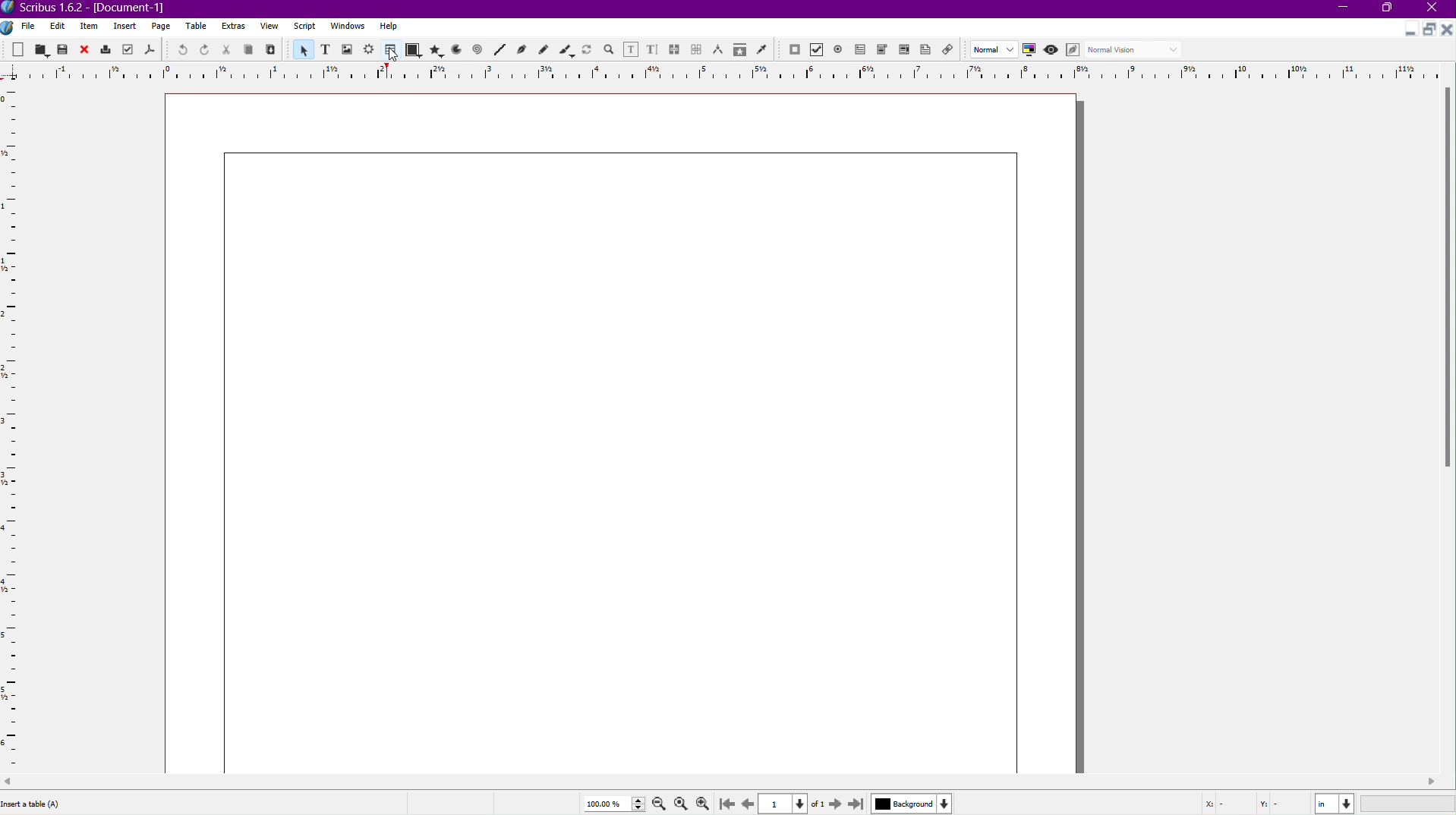 The image size is (1456, 815). What do you see at coordinates (841, 49) in the screenshot?
I see `PDF Radio Button` at bounding box center [841, 49].